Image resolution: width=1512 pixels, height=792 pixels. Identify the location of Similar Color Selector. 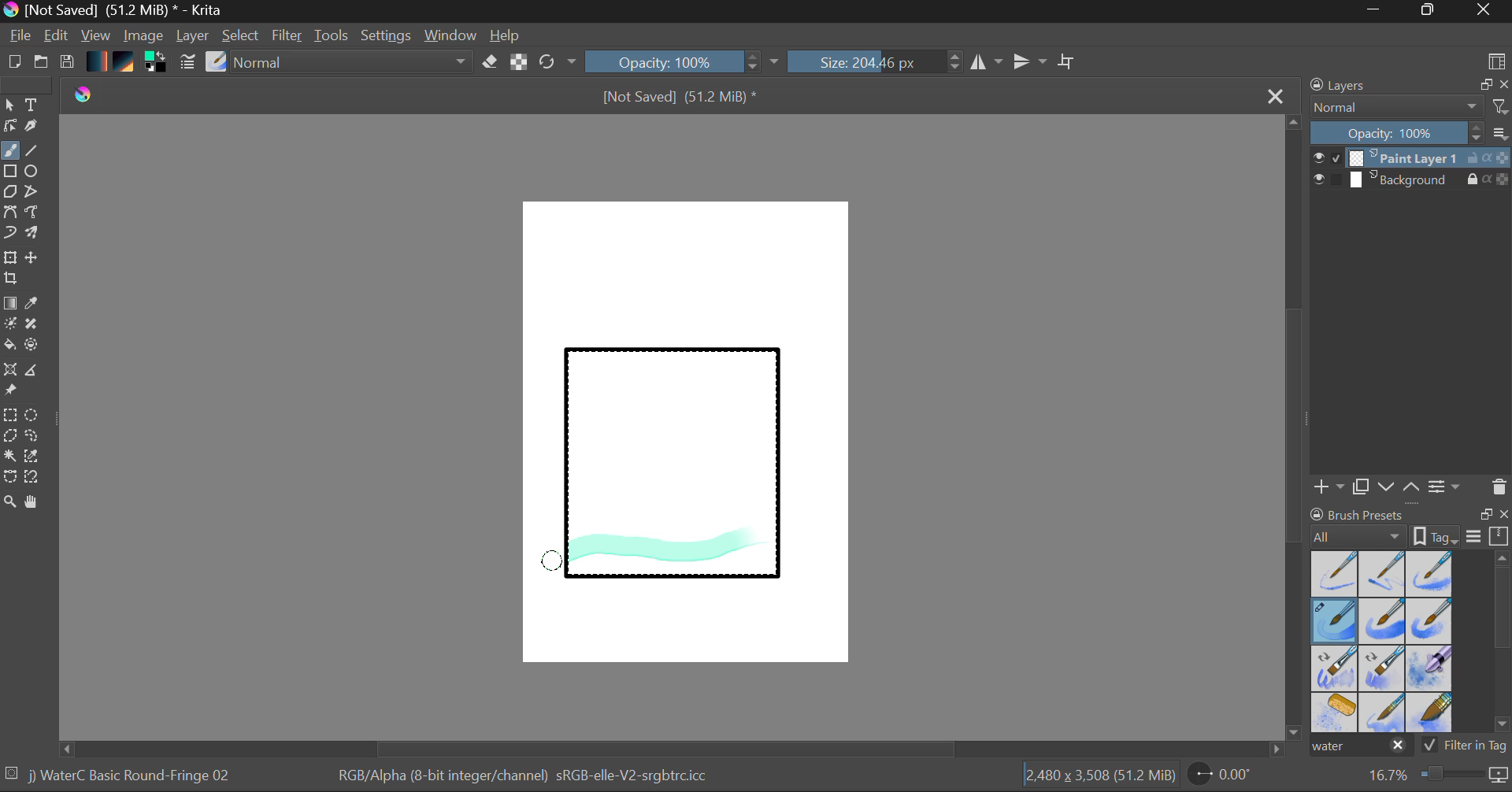
(36, 457).